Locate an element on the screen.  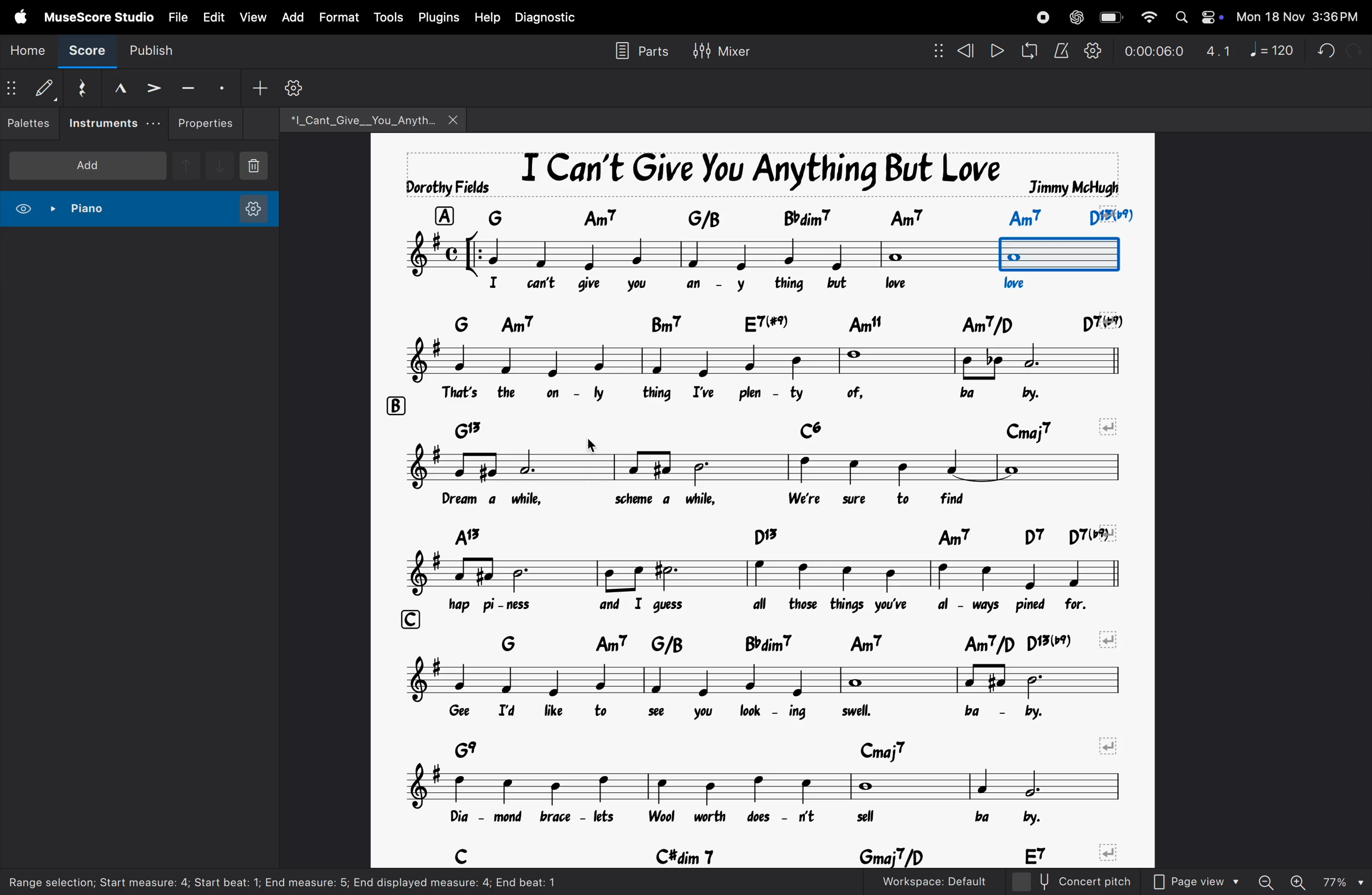
row is located at coordinates (413, 619).